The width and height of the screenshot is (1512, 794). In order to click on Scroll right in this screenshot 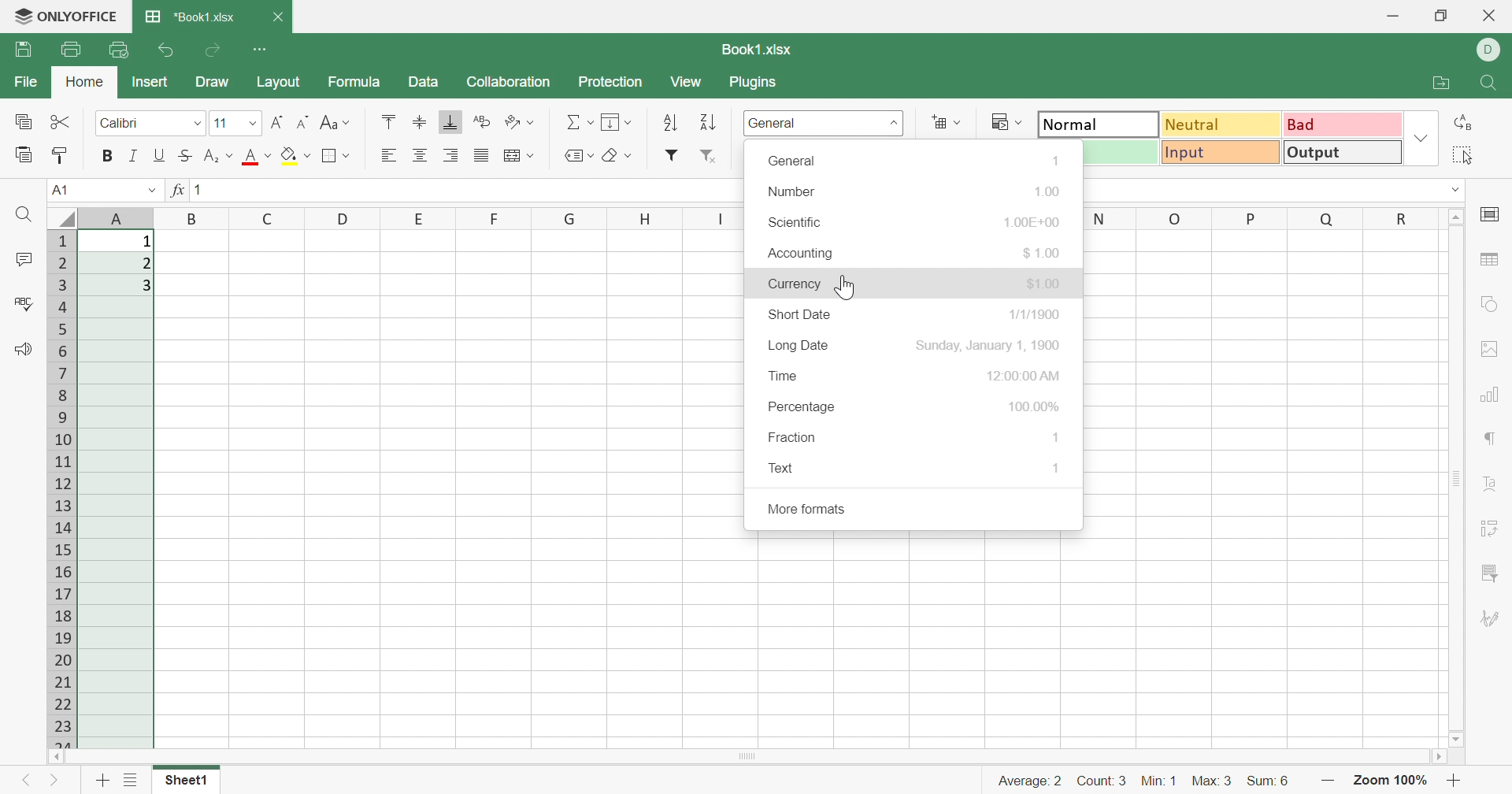, I will do `click(1441, 759)`.